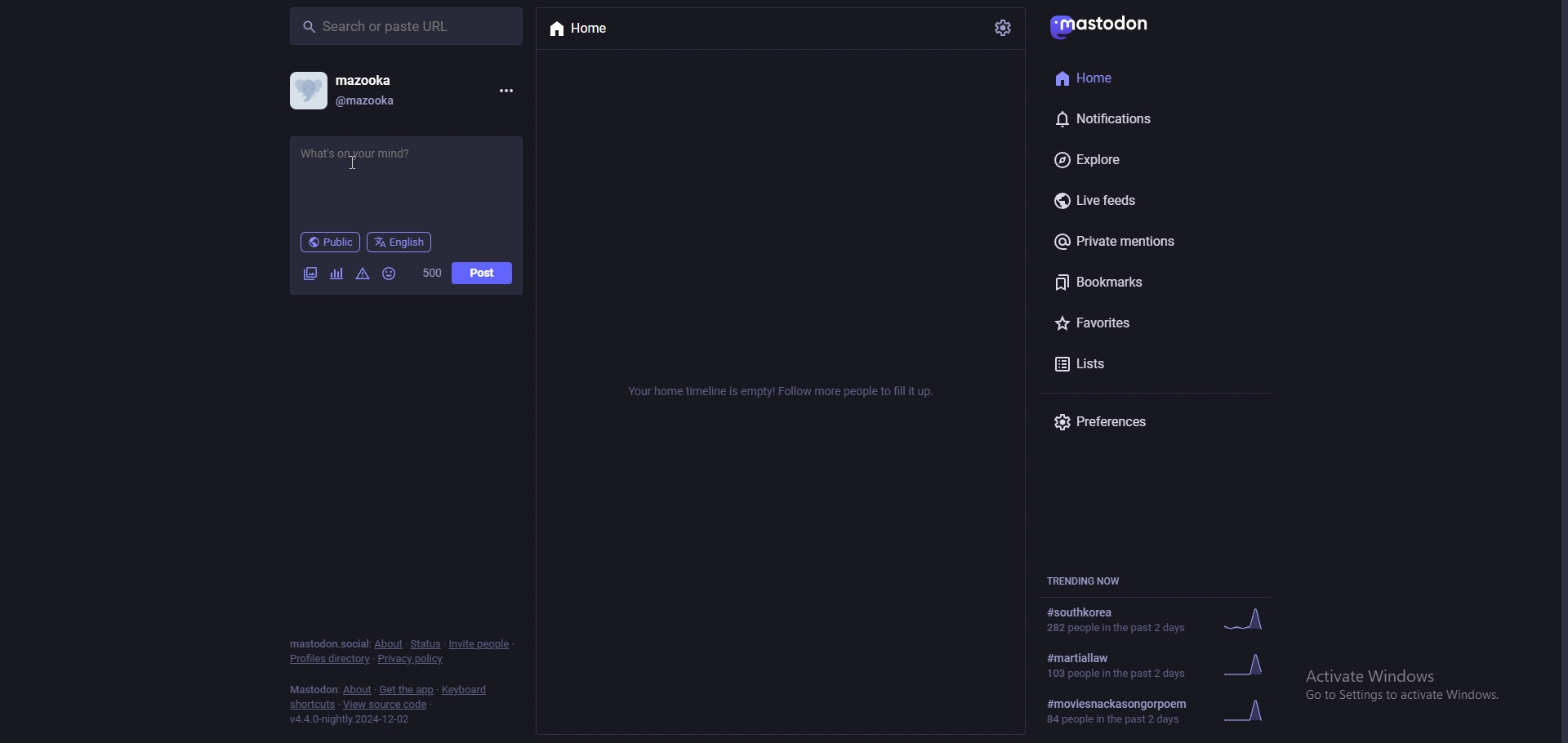 Image resolution: width=1568 pixels, height=743 pixels. What do you see at coordinates (432, 273) in the screenshot?
I see `word limit` at bounding box center [432, 273].